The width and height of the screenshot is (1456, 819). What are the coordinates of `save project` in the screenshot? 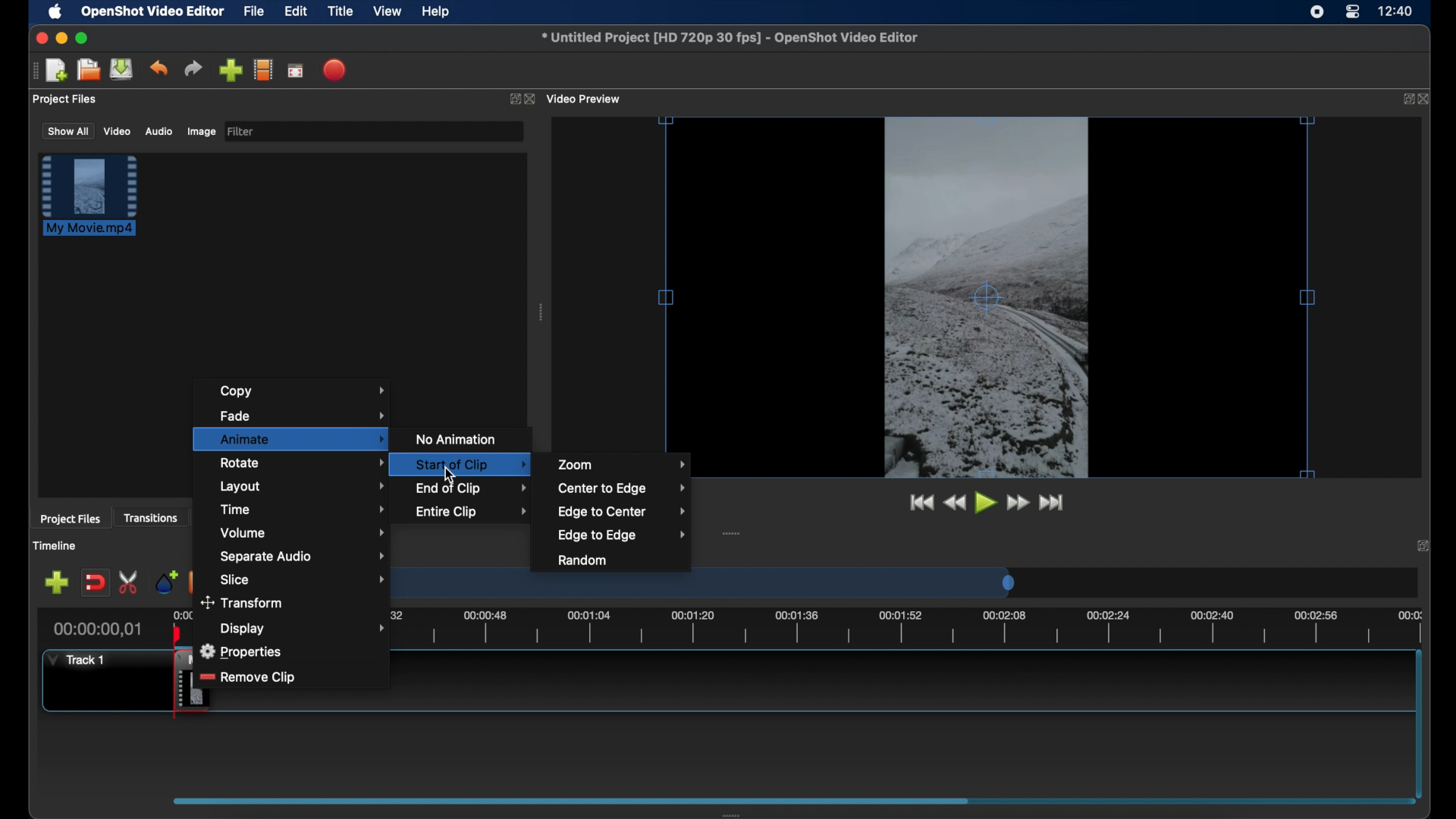 It's located at (121, 69).